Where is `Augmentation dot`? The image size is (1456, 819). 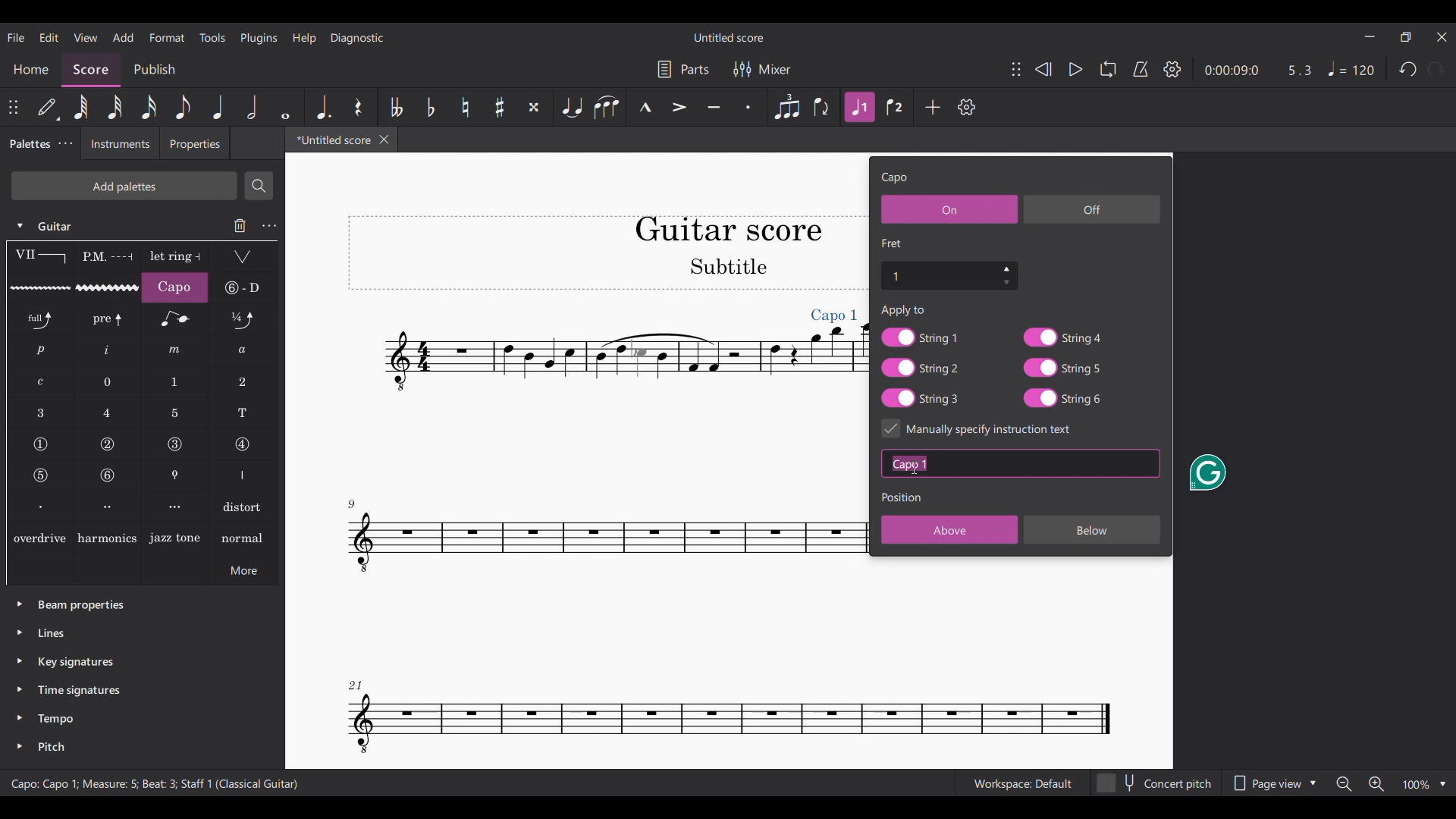 Augmentation dot is located at coordinates (322, 107).